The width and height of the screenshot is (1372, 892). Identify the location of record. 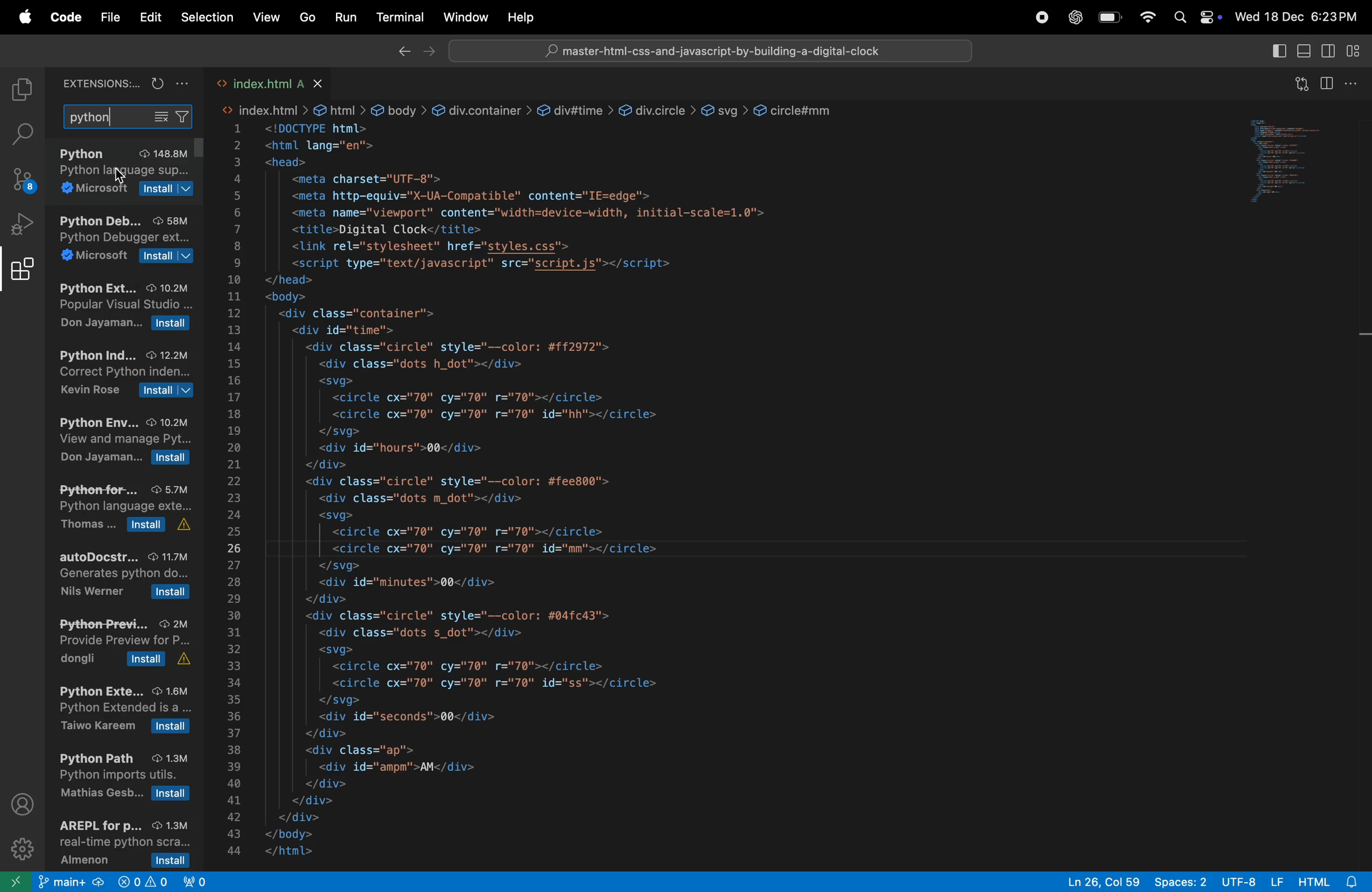
(1041, 18).